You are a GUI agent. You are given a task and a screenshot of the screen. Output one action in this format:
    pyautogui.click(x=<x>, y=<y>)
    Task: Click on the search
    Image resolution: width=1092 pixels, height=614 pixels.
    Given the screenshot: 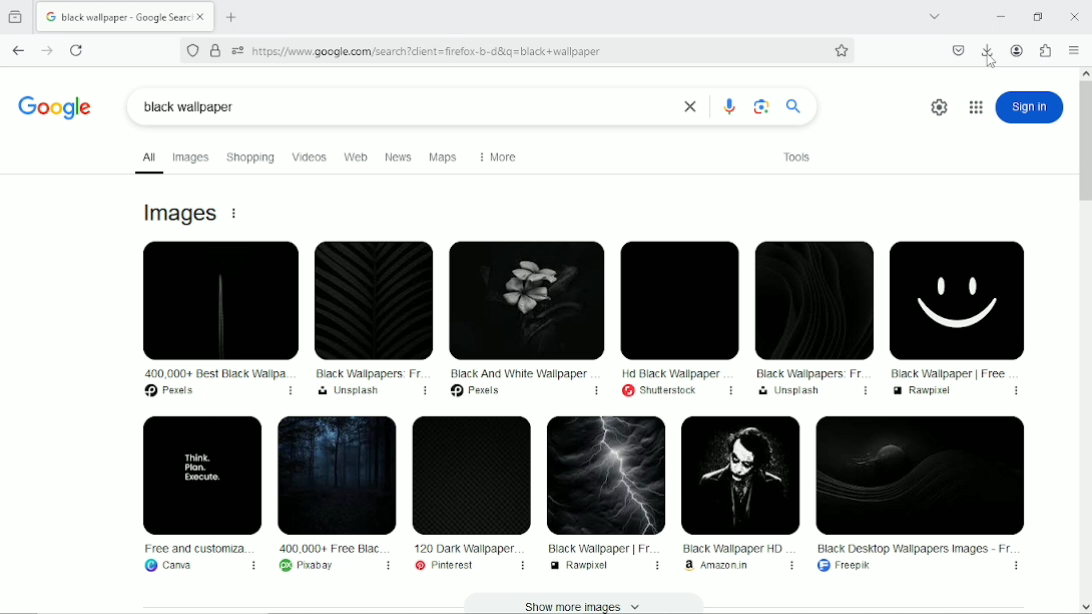 What is the action you would take?
    pyautogui.click(x=793, y=107)
    